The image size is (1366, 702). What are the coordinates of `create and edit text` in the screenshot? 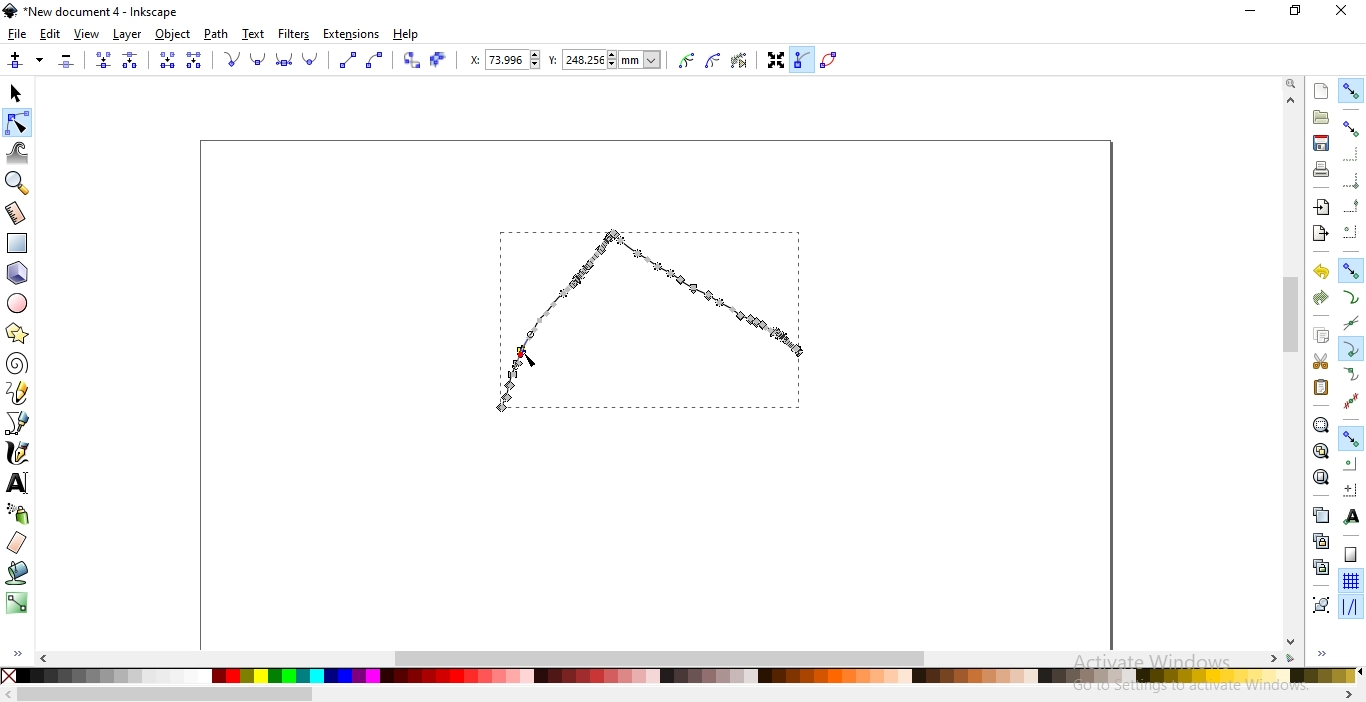 It's located at (18, 484).